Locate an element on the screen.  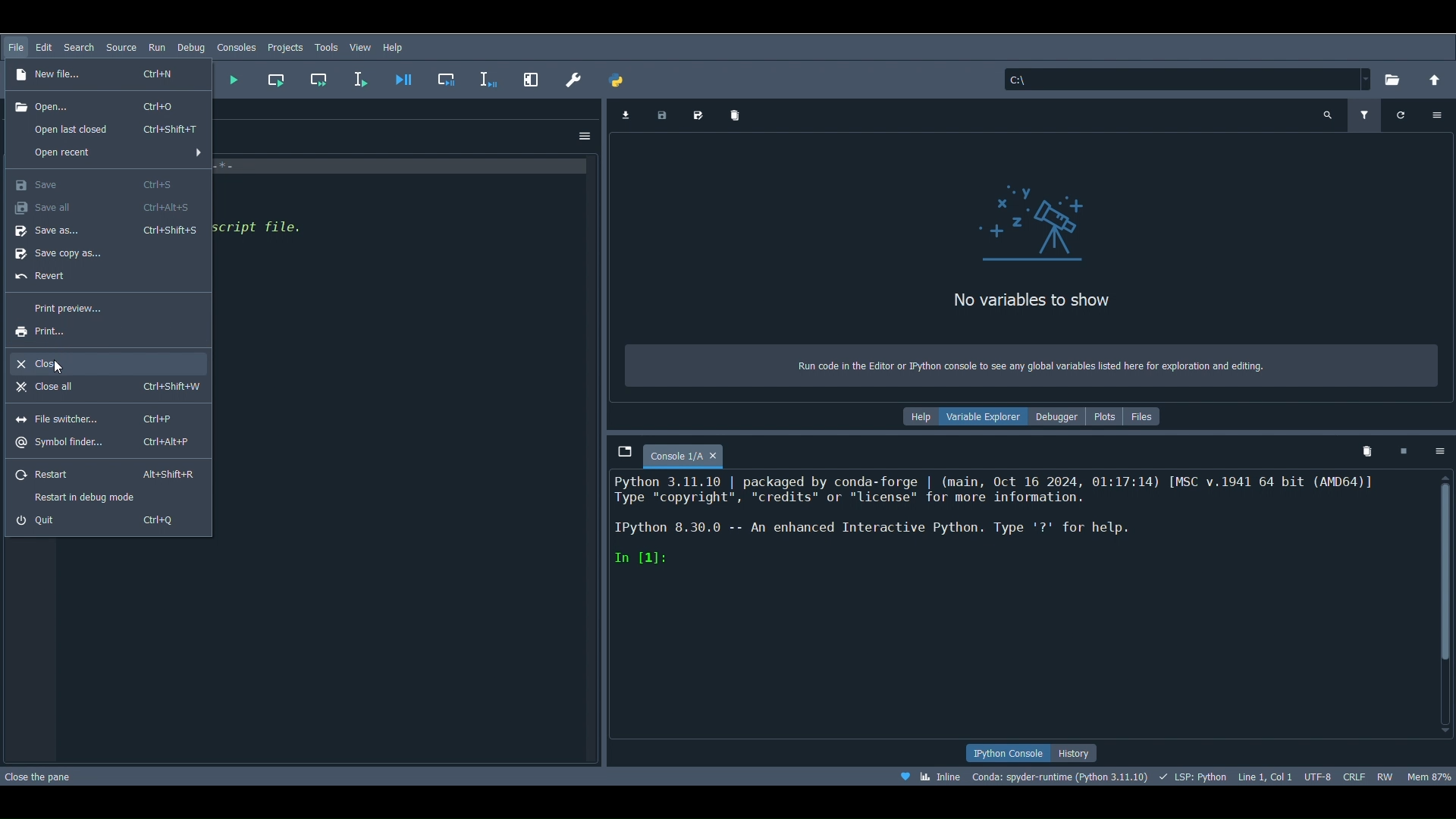
Cursor position is located at coordinates (1266, 775).